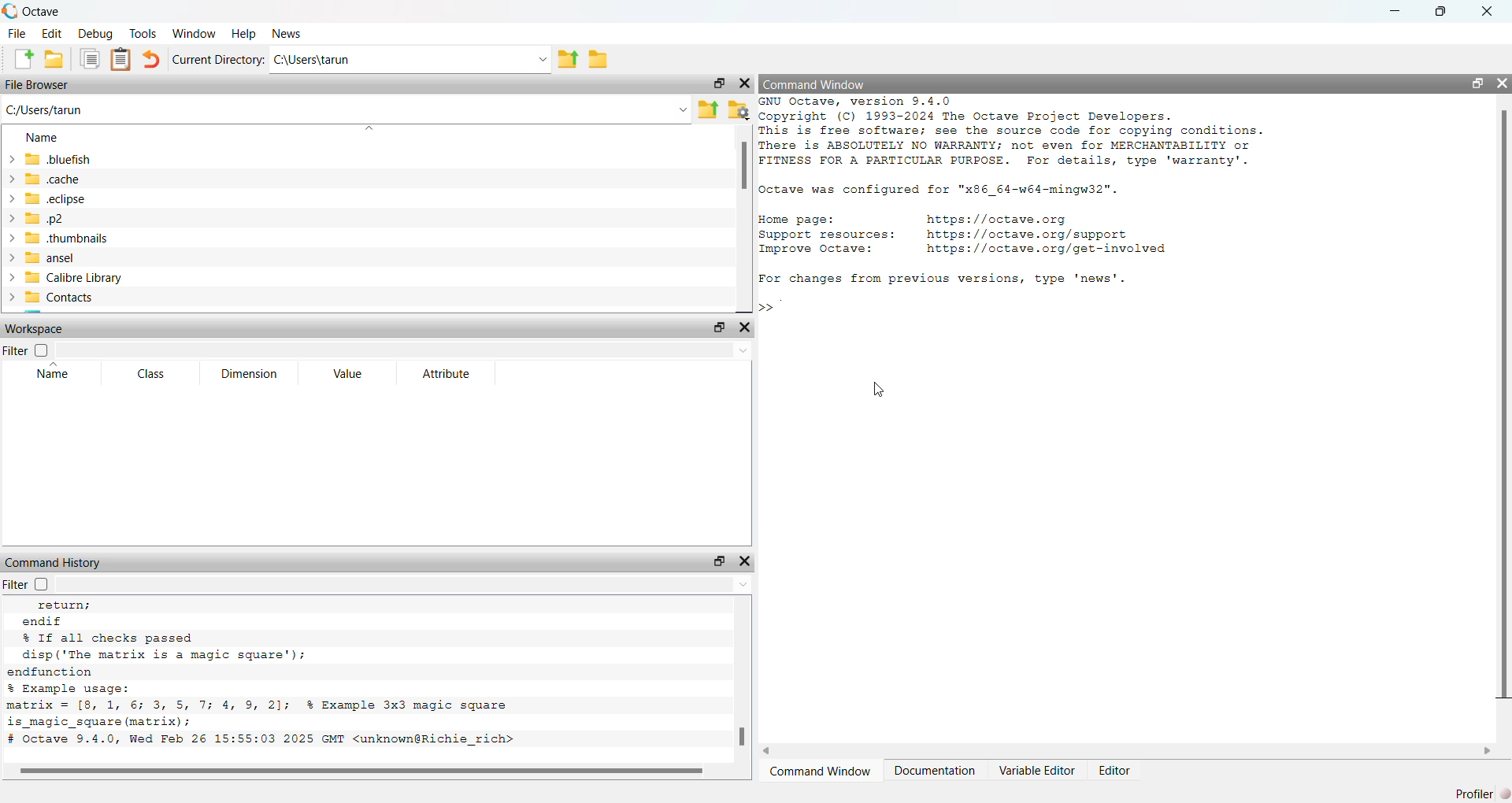 The width and height of the screenshot is (1512, 803). What do you see at coordinates (1115, 770) in the screenshot?
I see `Editor` at bounding box center [1115, 770].